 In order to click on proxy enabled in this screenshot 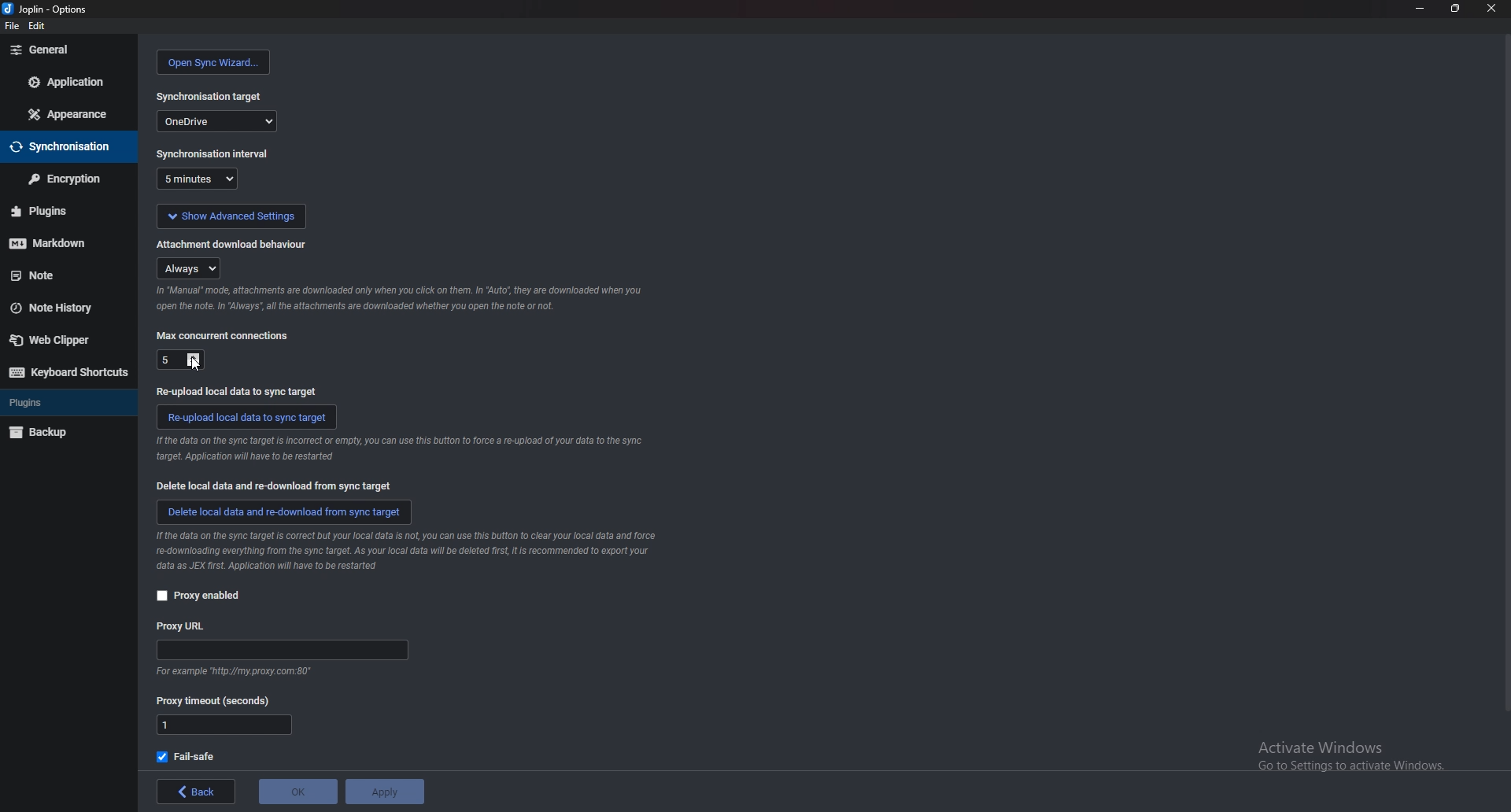, I will do `click(199, 596)`.